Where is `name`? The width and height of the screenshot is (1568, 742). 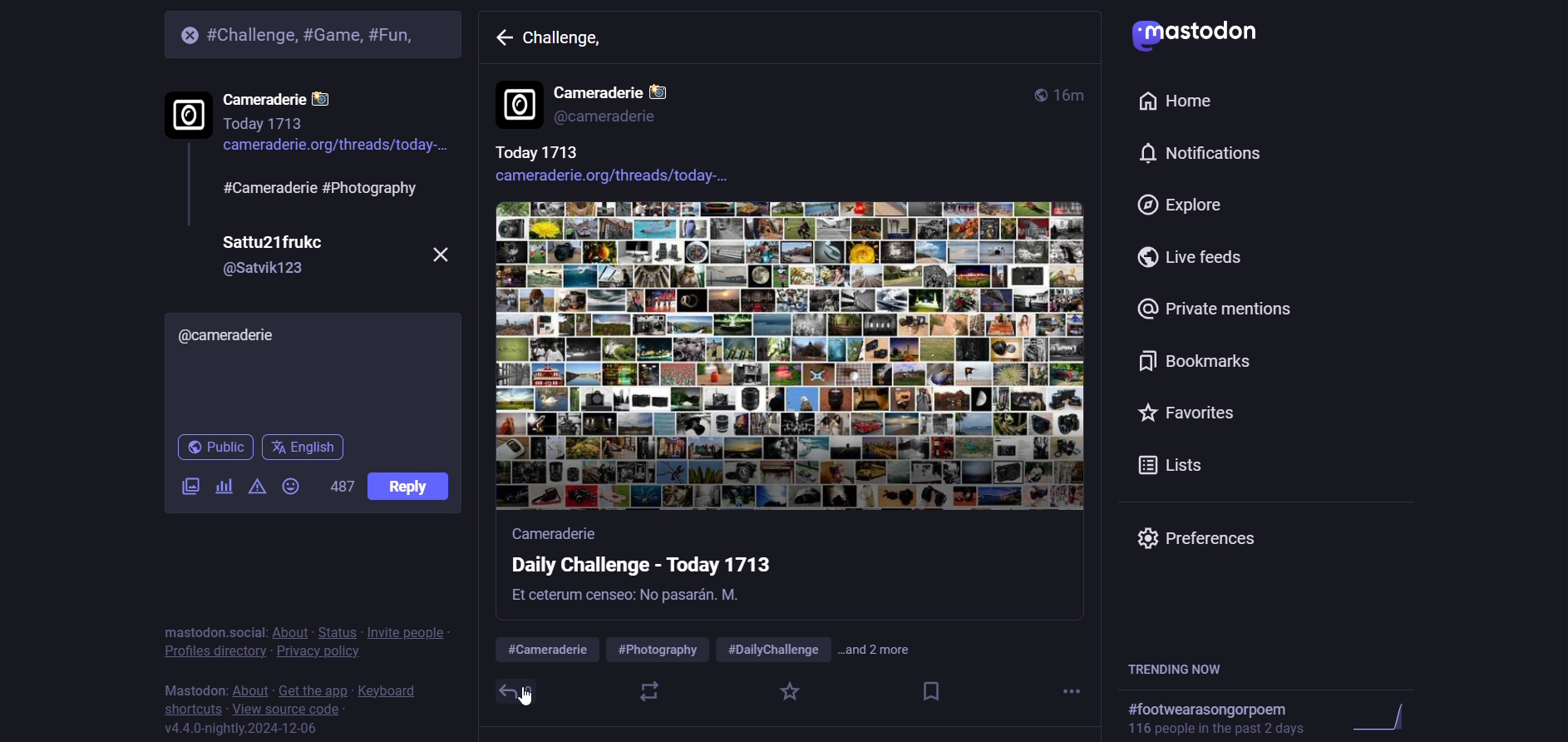
name is located at coordinates (276, 243).